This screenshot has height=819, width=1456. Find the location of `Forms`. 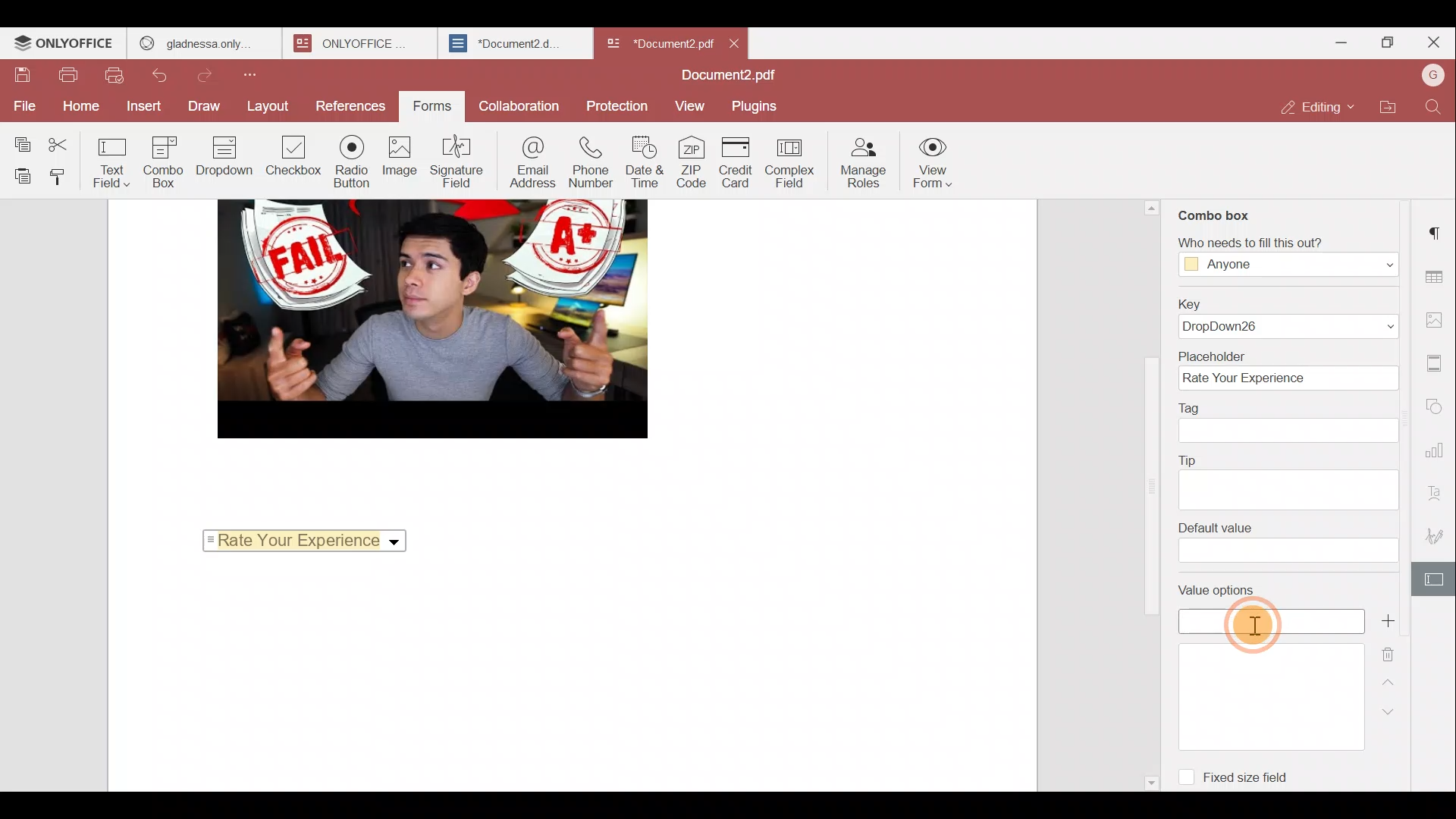

Forms is located at coordinates (427, 107).